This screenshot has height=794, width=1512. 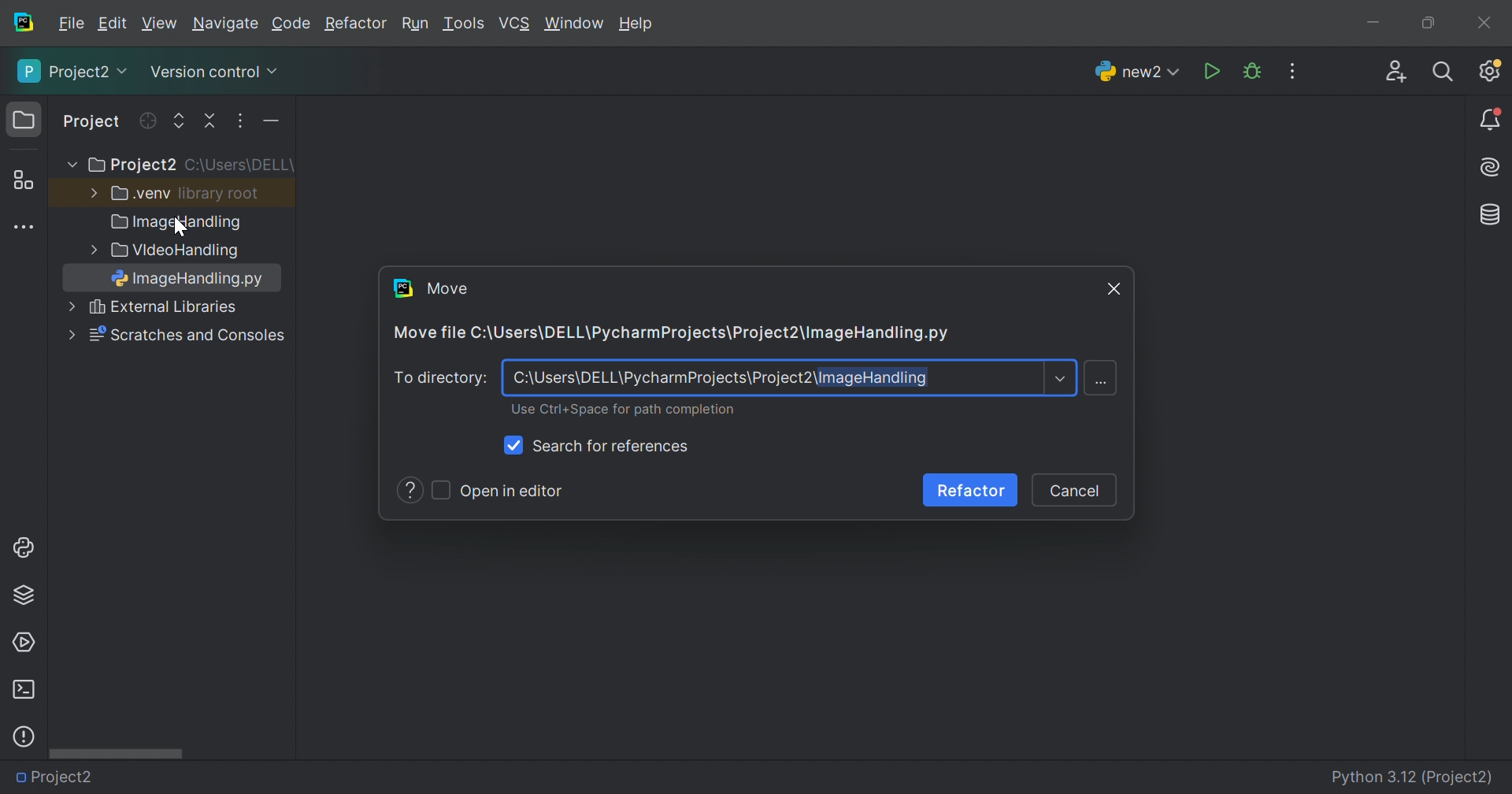 I want to click on new2, so click(x=1137, y=76).